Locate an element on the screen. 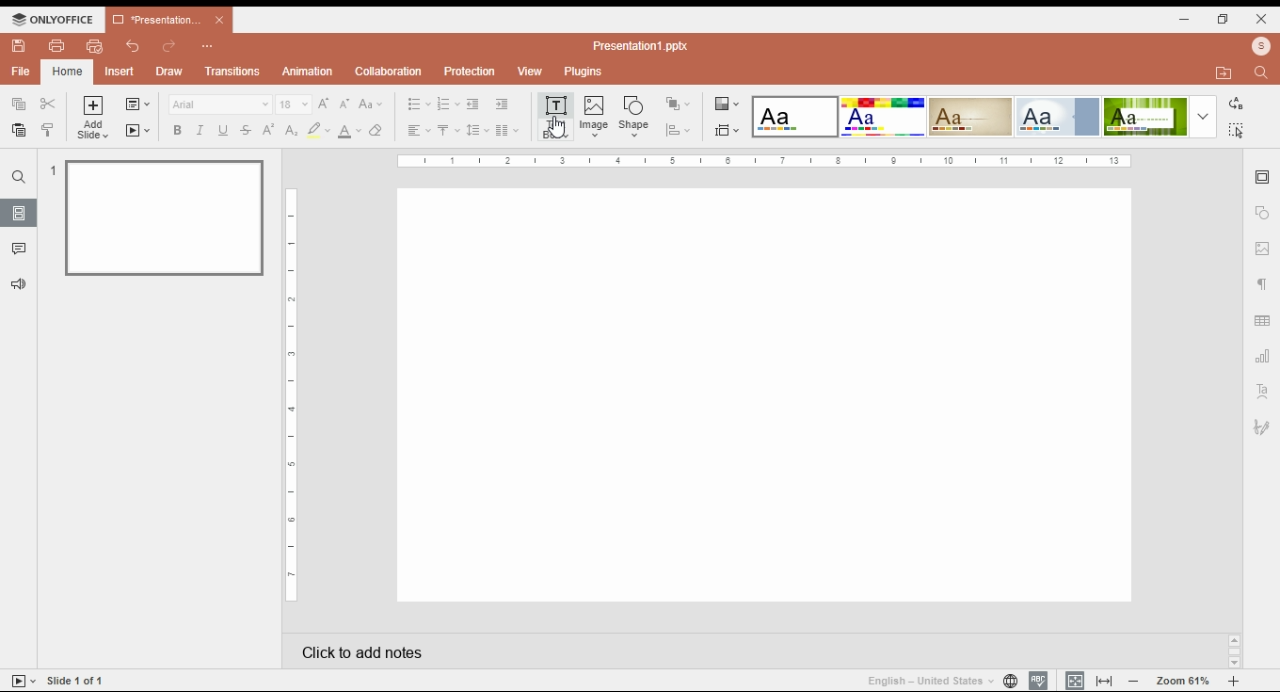 The width and height of the screenshot is (1280, 692). Slide 1 of 1 is located at coordinates (76, 680).